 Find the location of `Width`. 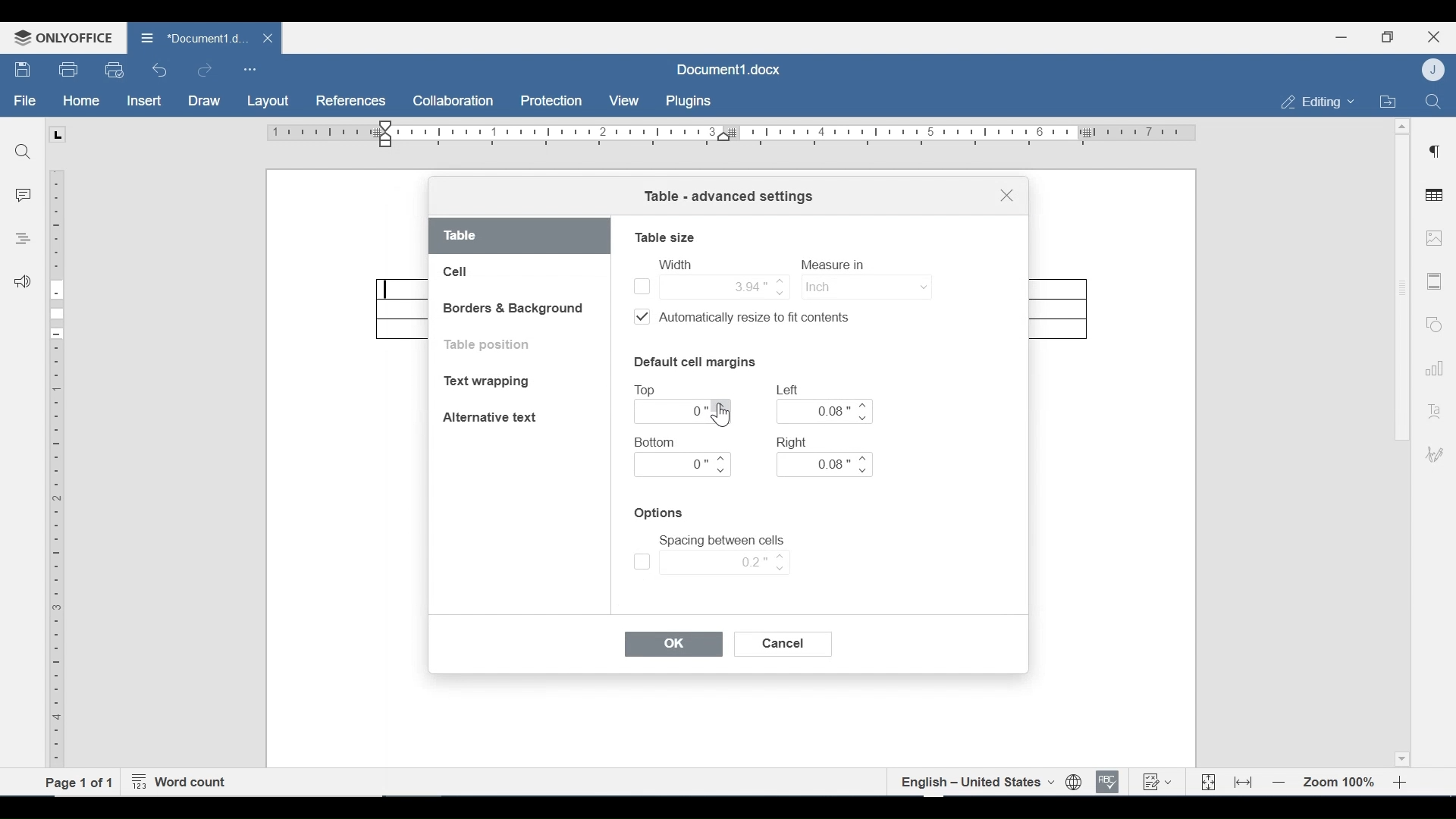

Width is located at coordinates (674, 264).